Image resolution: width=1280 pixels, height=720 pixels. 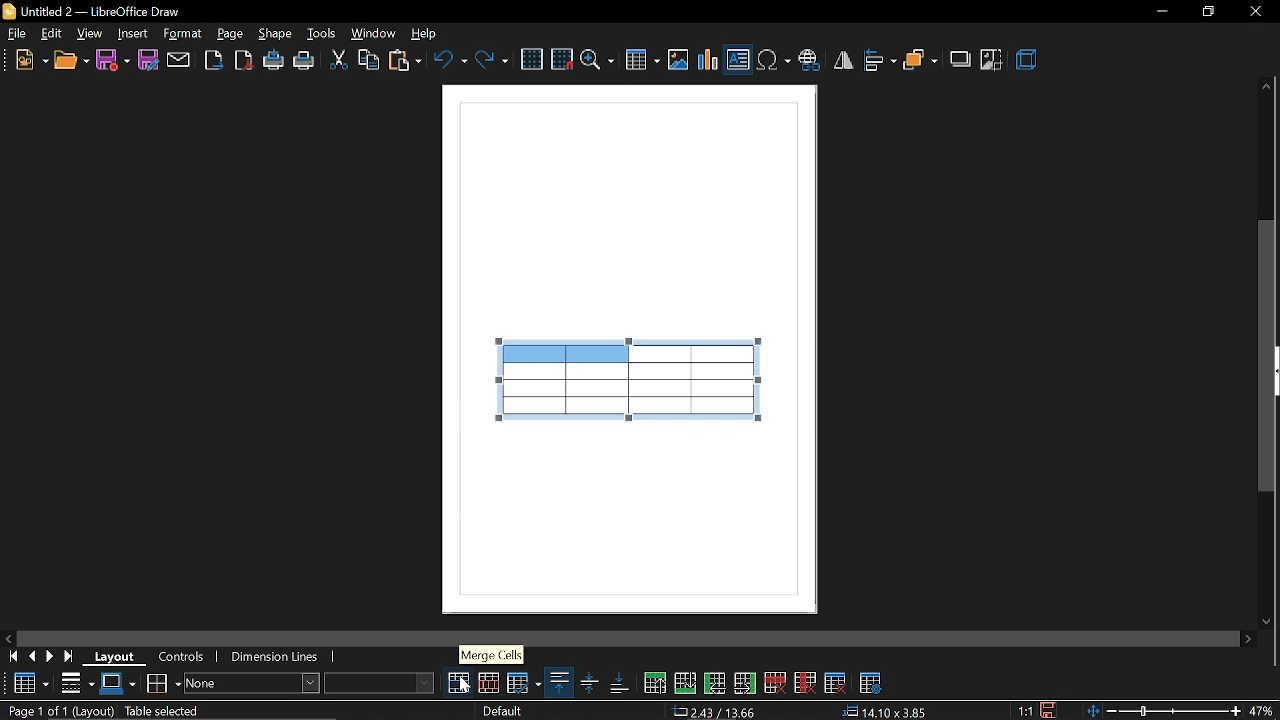 I want to click on snap to grid, so click(x=562, y=59).